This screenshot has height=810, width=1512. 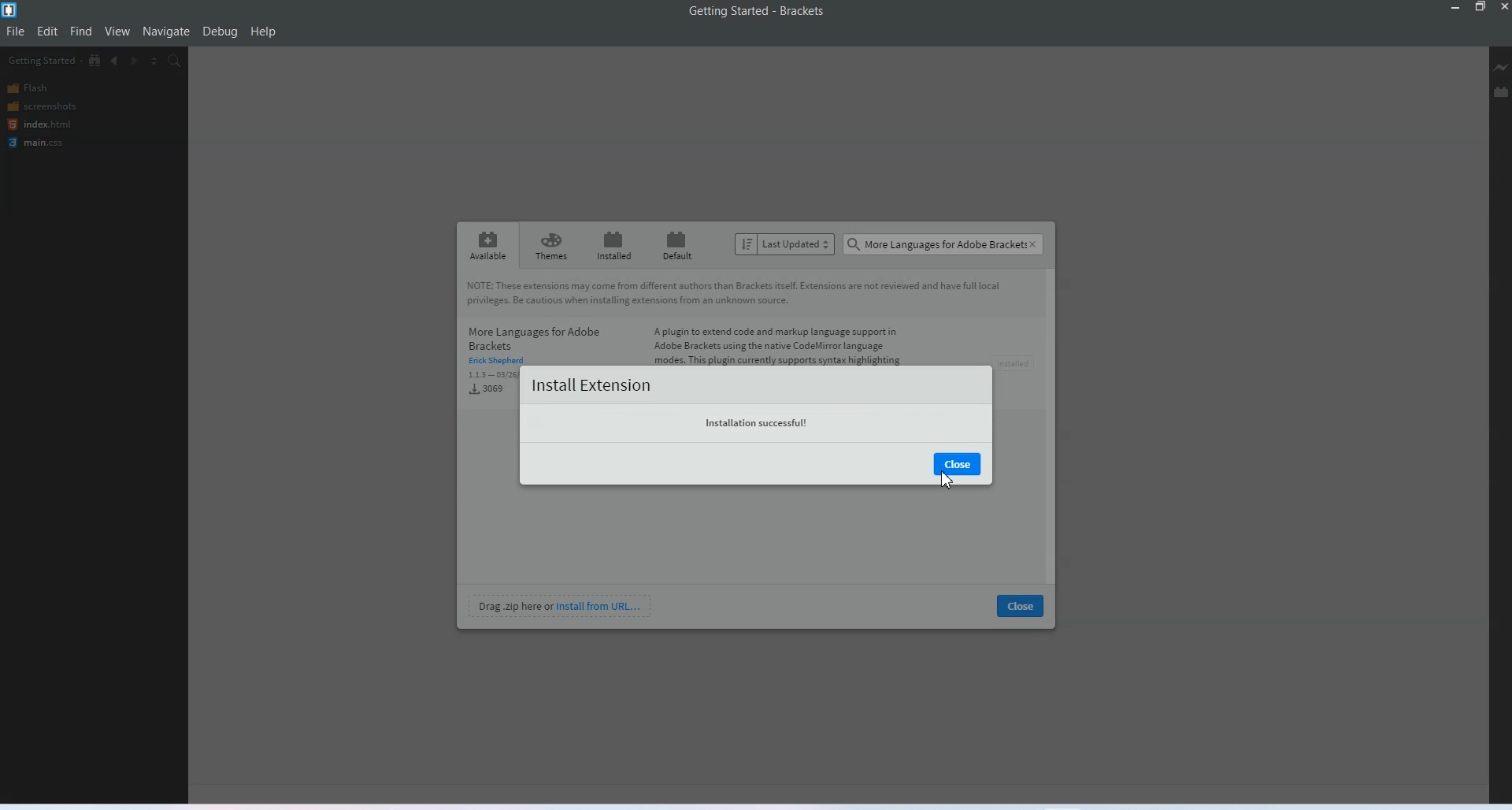 I want to click on Debug, so click(x=219, y=32).